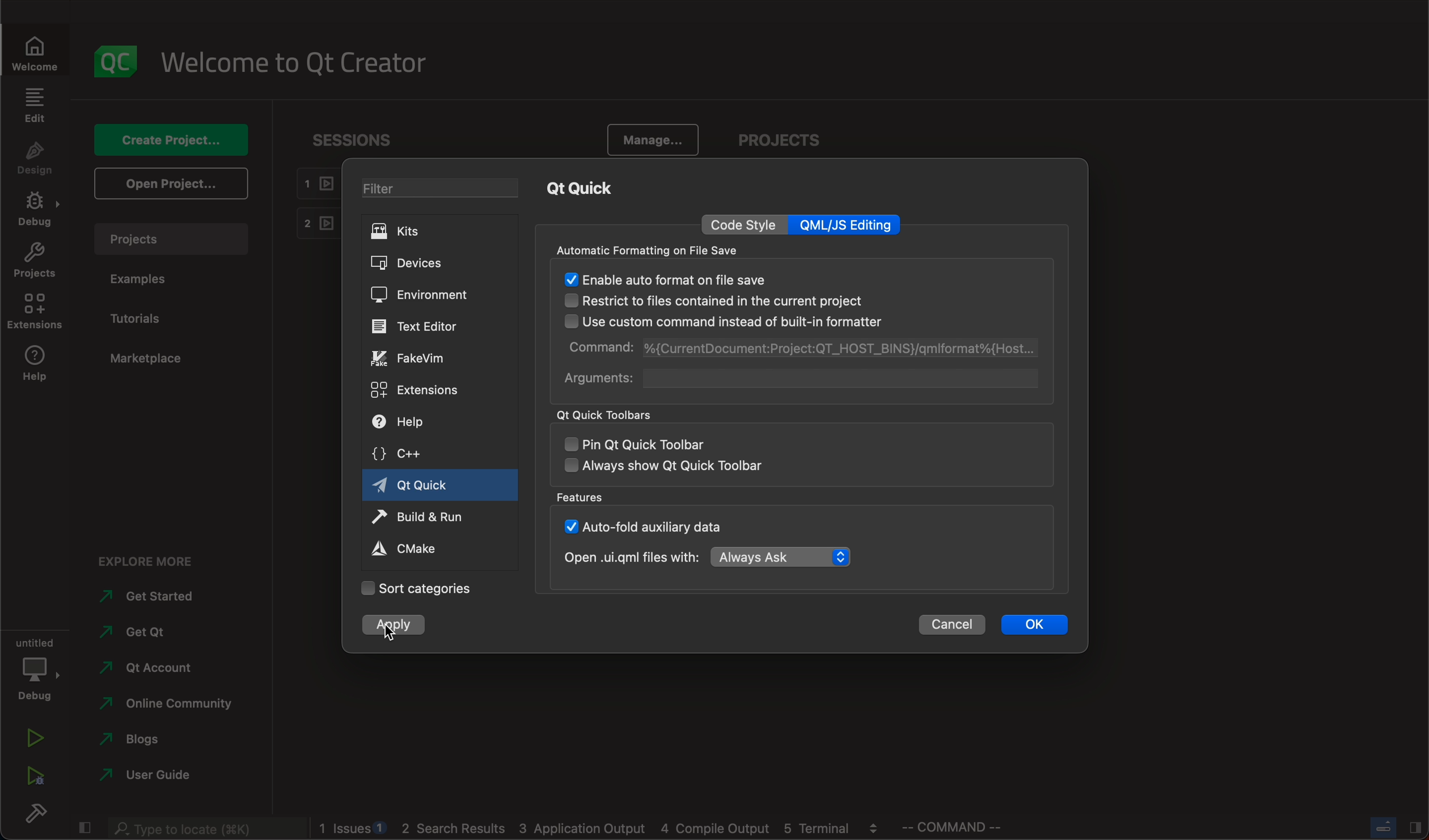  Describe the element at coordinates (84, 826) in the screenshot. I see `close slide bar` at that location.